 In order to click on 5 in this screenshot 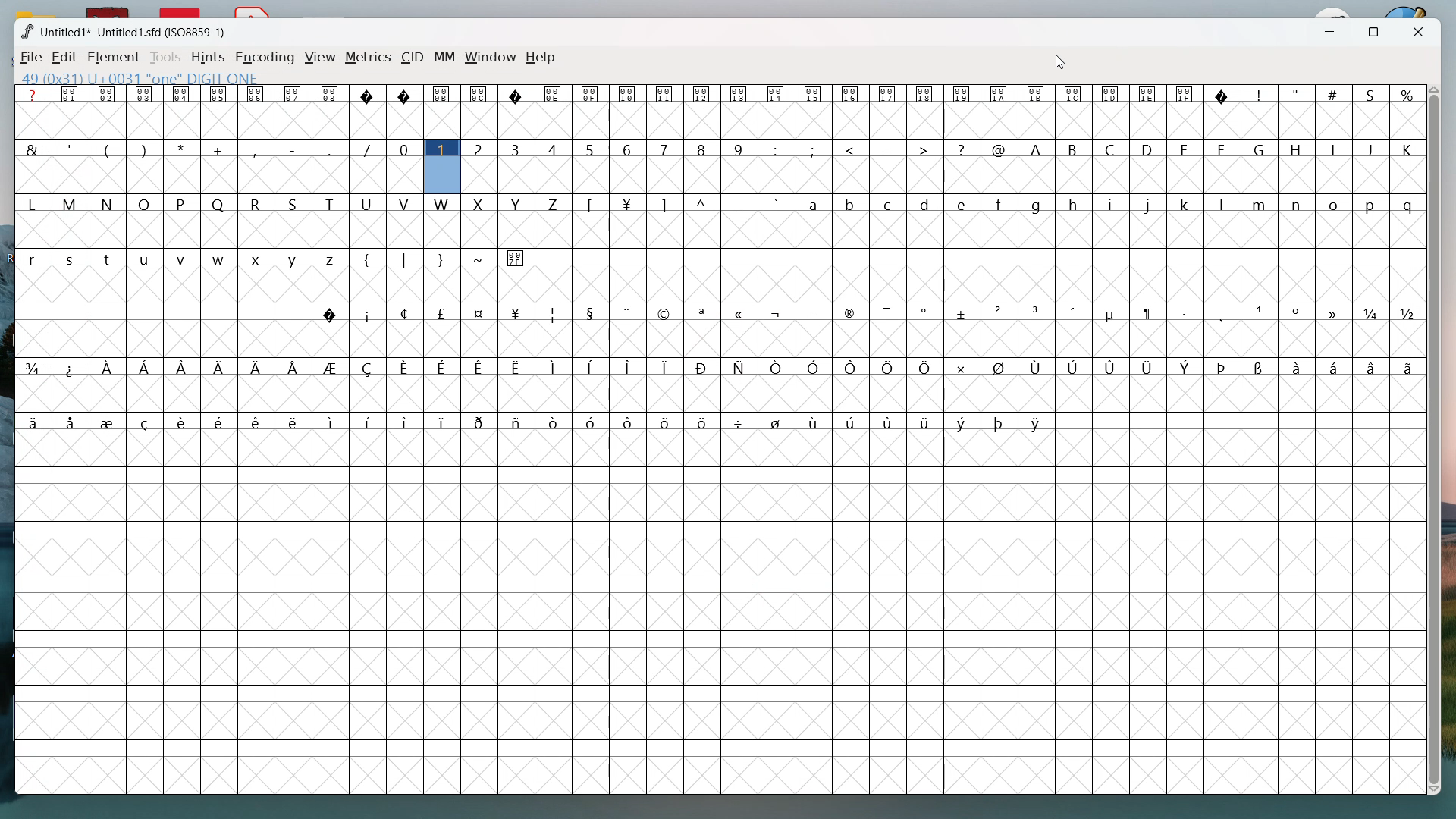, I will do `click(590, 149)`.